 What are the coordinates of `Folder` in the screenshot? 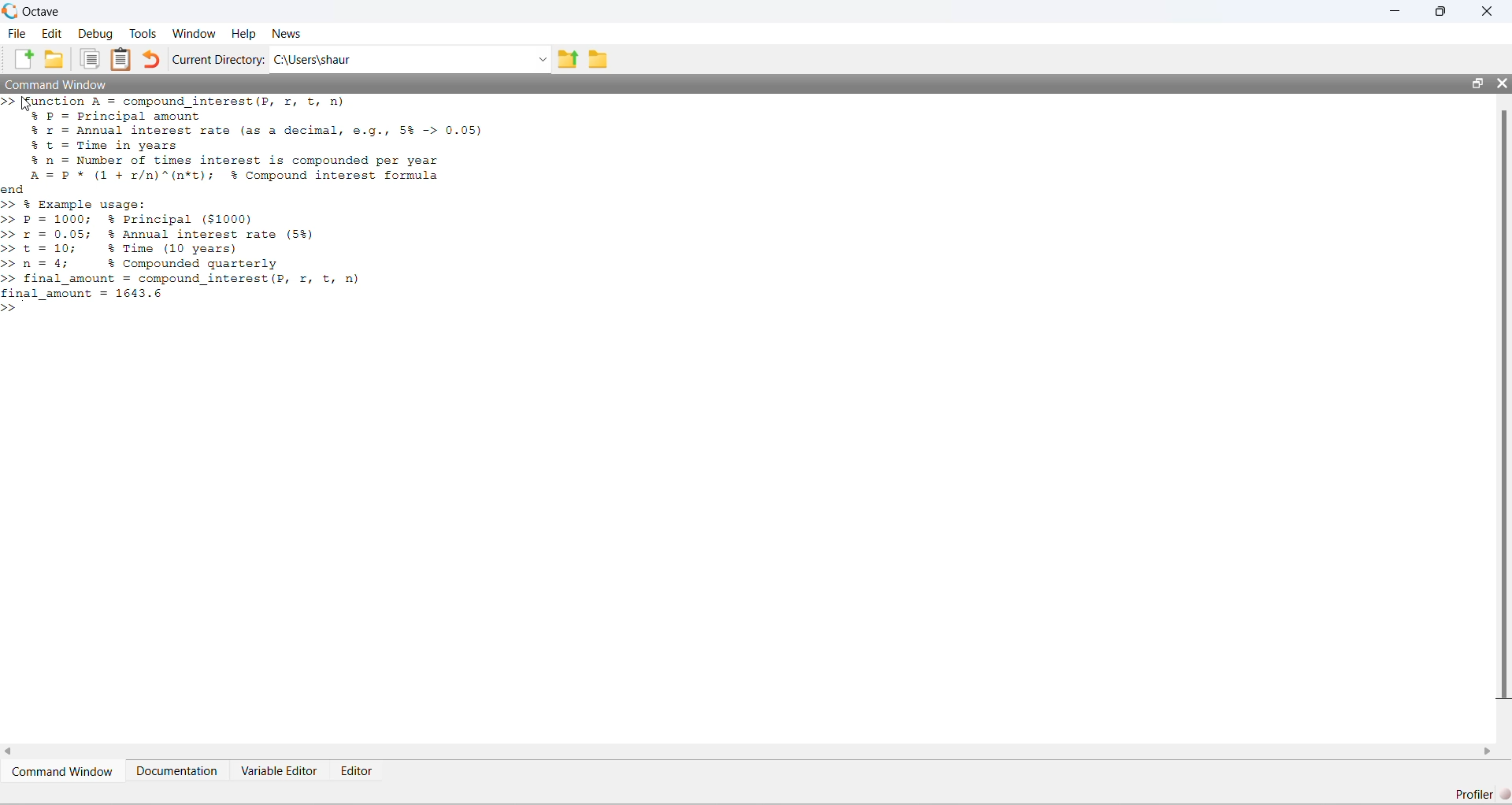 It's located at (598, 59).